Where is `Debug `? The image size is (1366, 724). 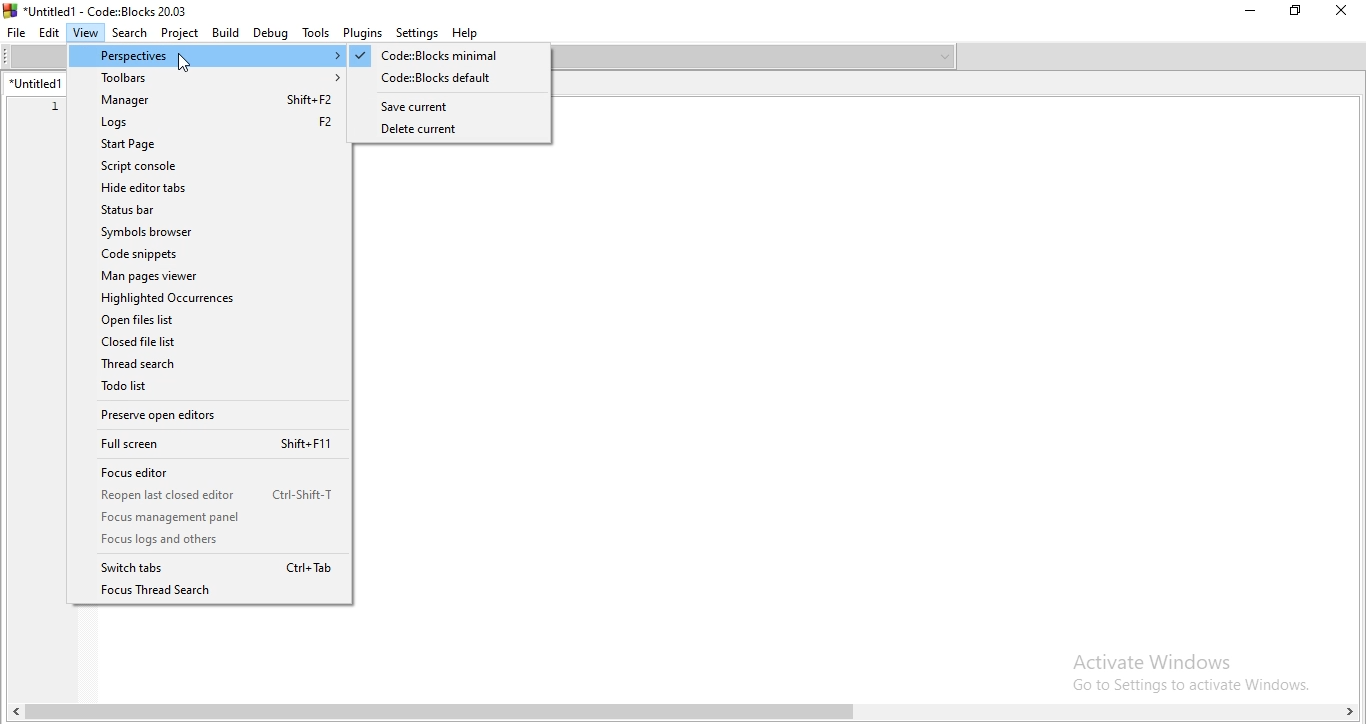 Debug  is located at coordinates (267, 33).